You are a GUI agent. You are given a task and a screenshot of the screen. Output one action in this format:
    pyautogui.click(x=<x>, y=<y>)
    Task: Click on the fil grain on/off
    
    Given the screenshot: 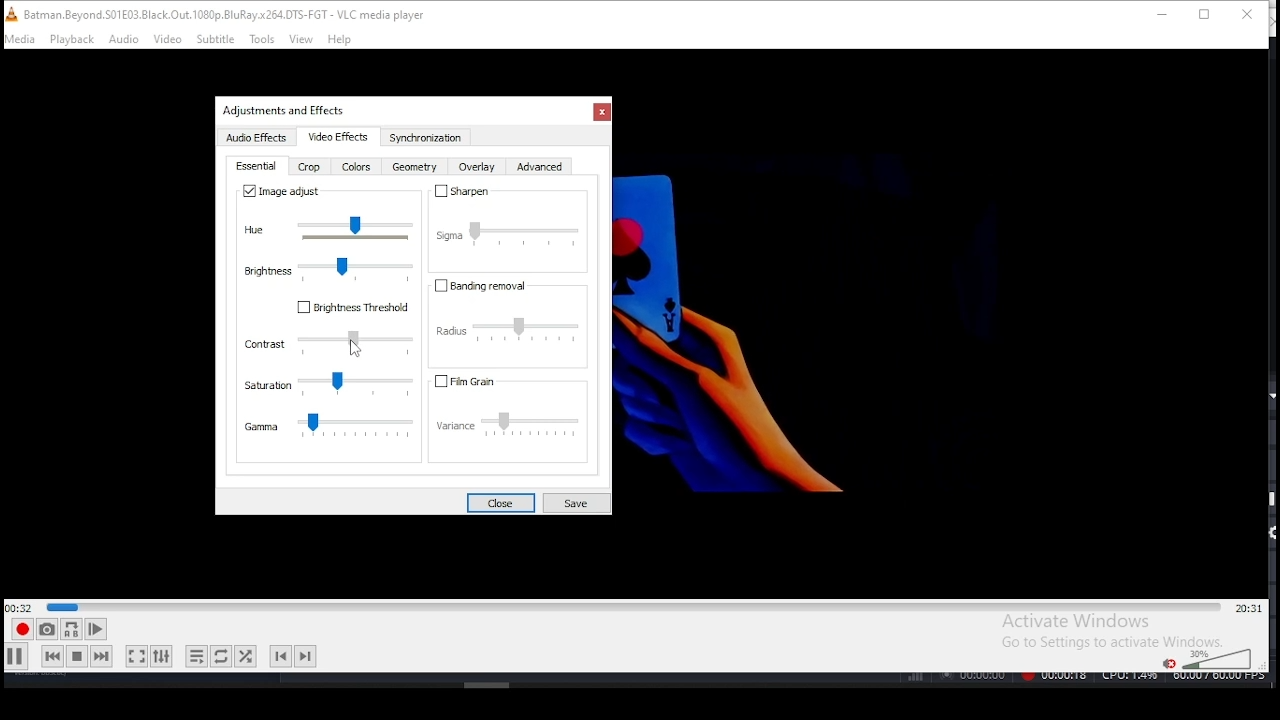 What is the action you would take?
    pyautogui.click(x=487, y=381)
    